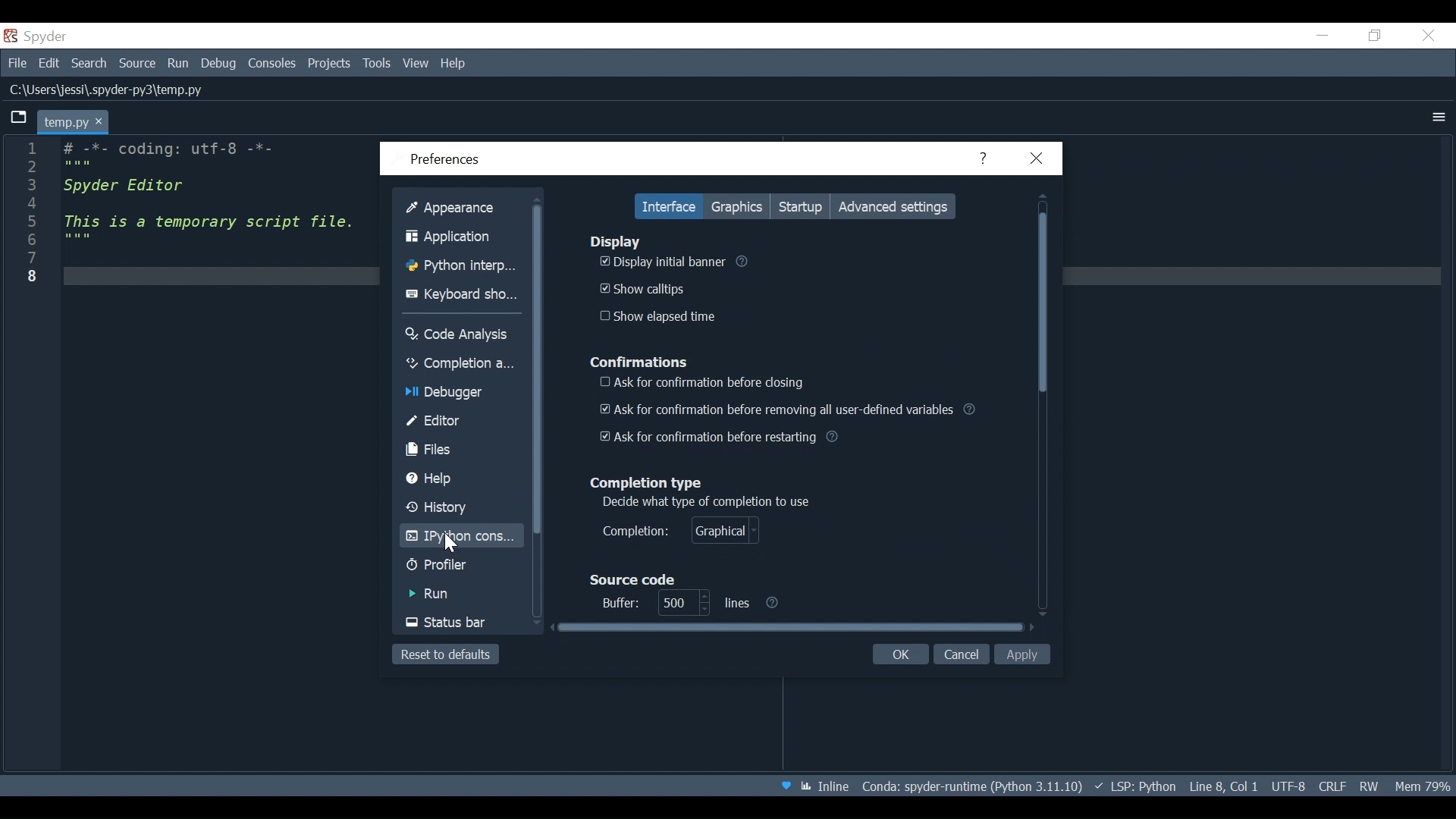  What do you see at coordinates (214, 63) in the screenshot?
I see `Debug` at bounding box center [214, 63].